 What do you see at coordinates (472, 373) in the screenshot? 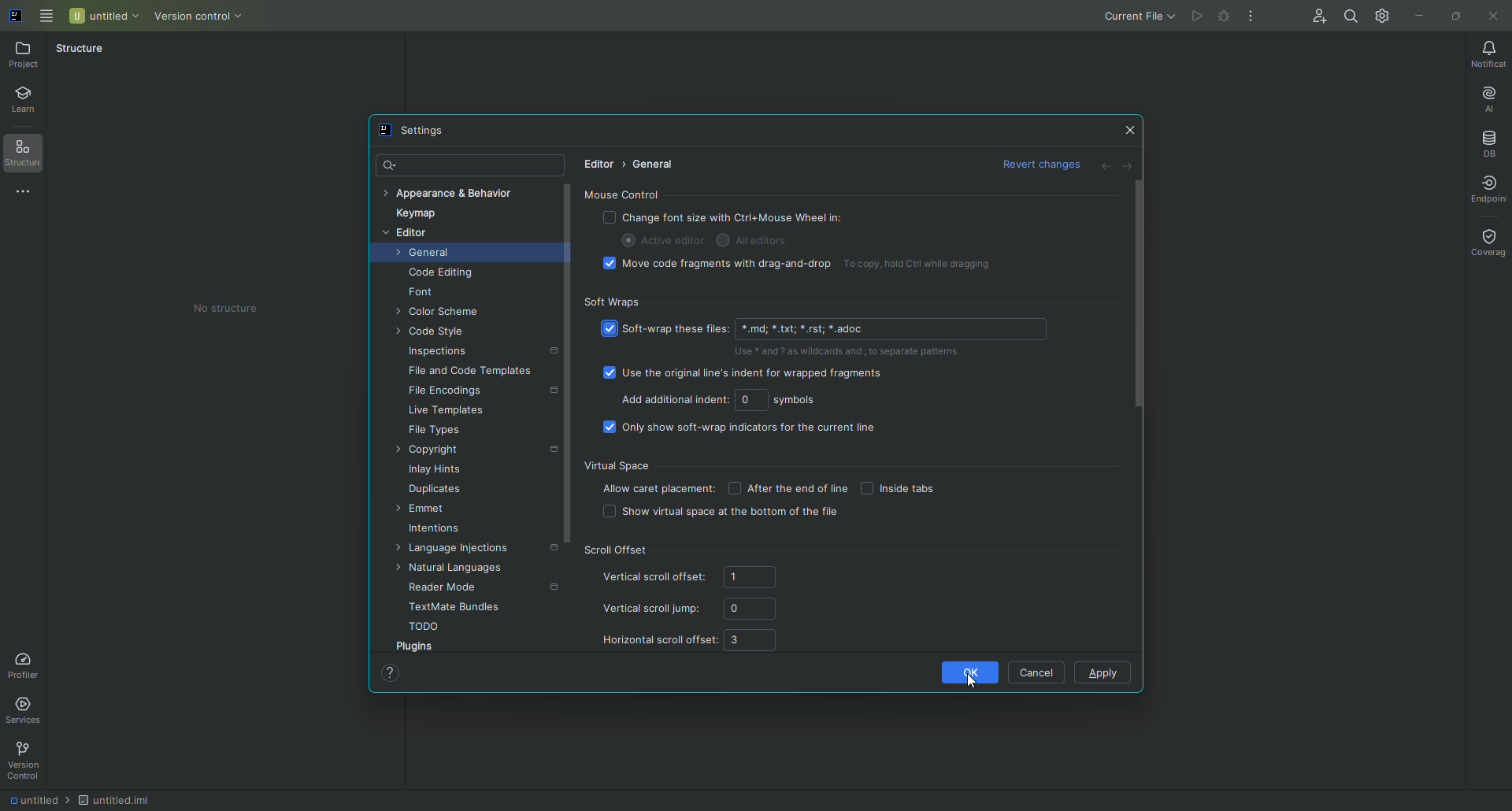
I see `File and Code Templates` at bounding box center [472, 373].